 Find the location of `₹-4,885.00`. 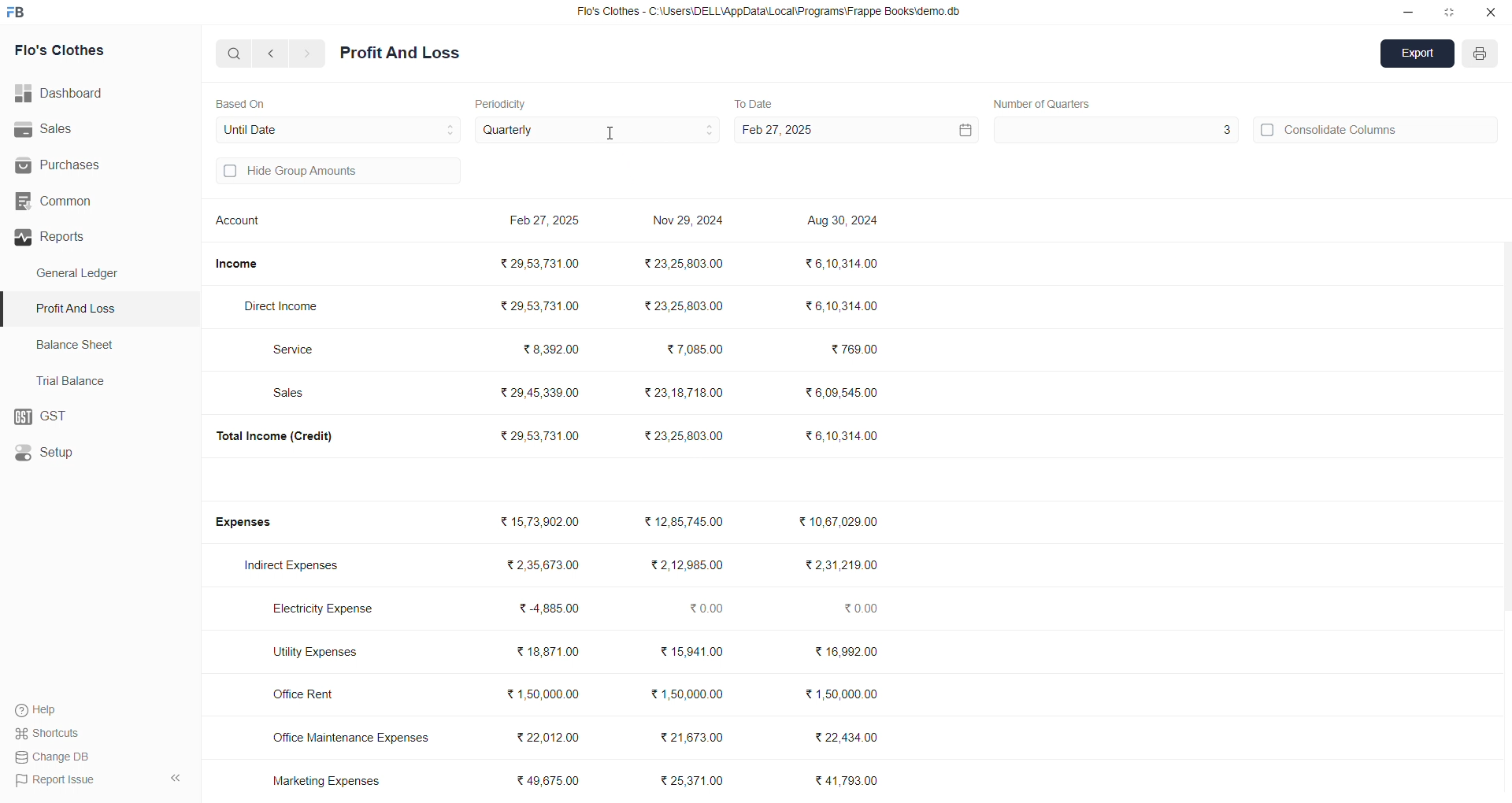

₹-4,885.00 is located at coordinates (554, 609).